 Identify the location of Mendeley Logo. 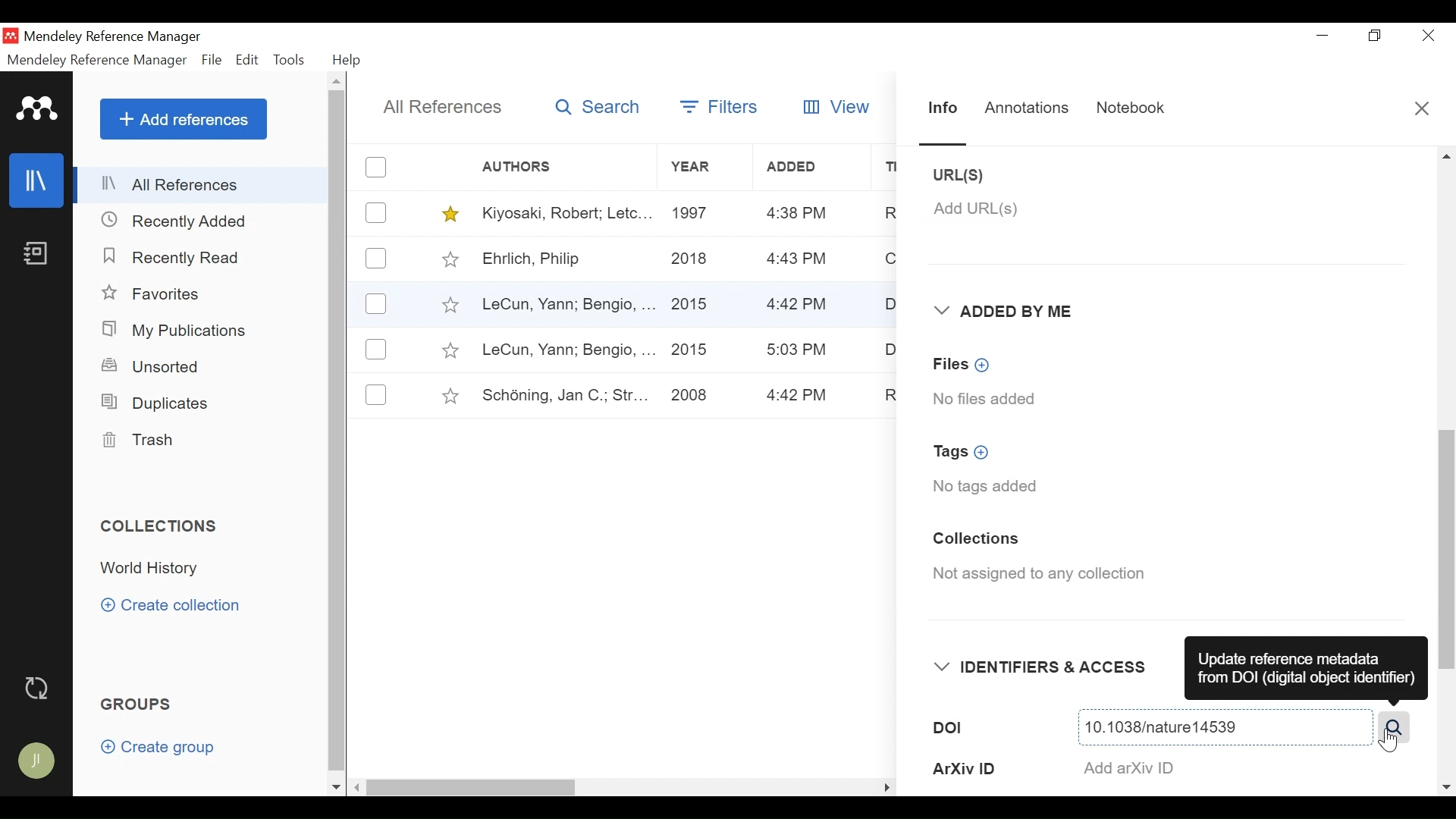
(37, 111).